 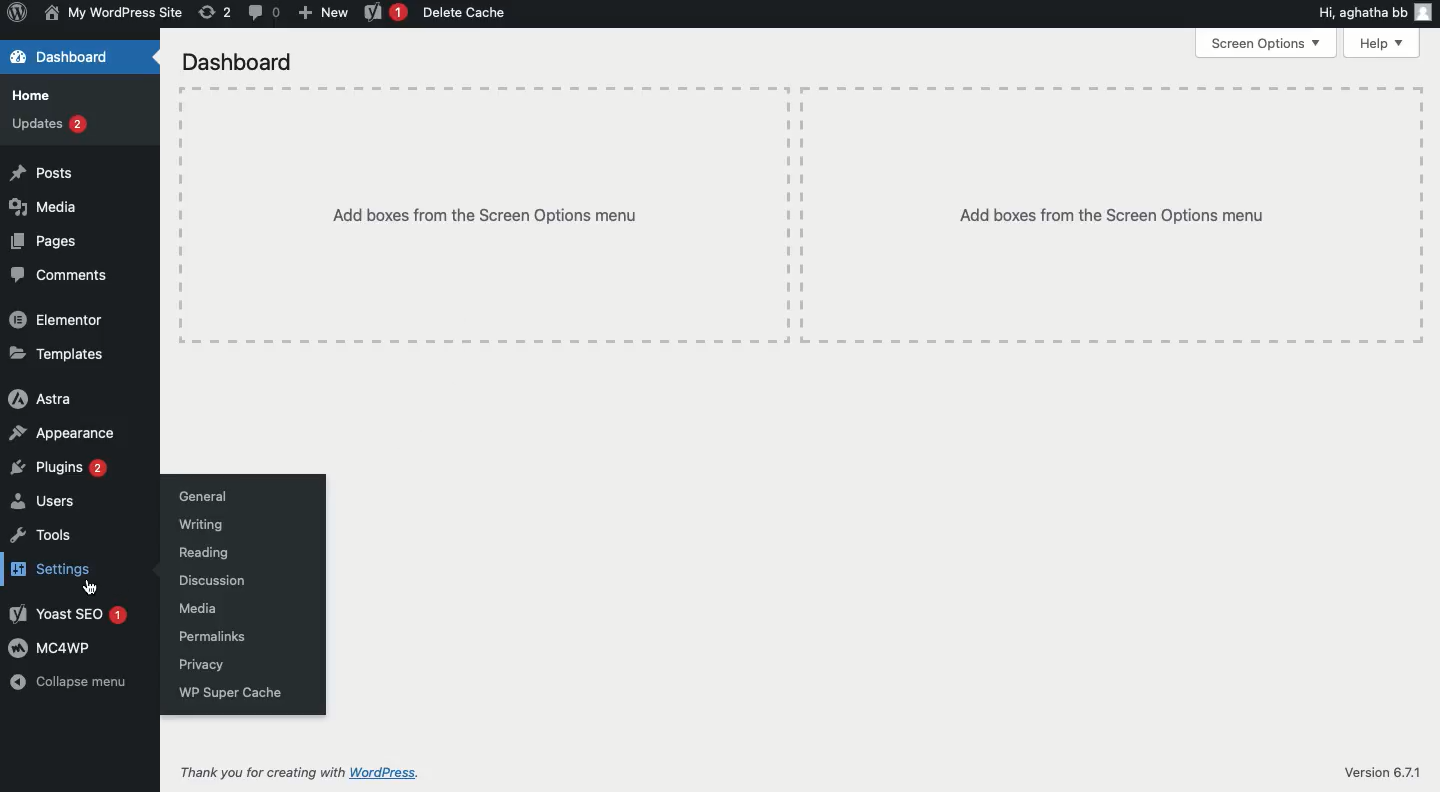 I want to click on Elementor, so click(x=57, y=320).